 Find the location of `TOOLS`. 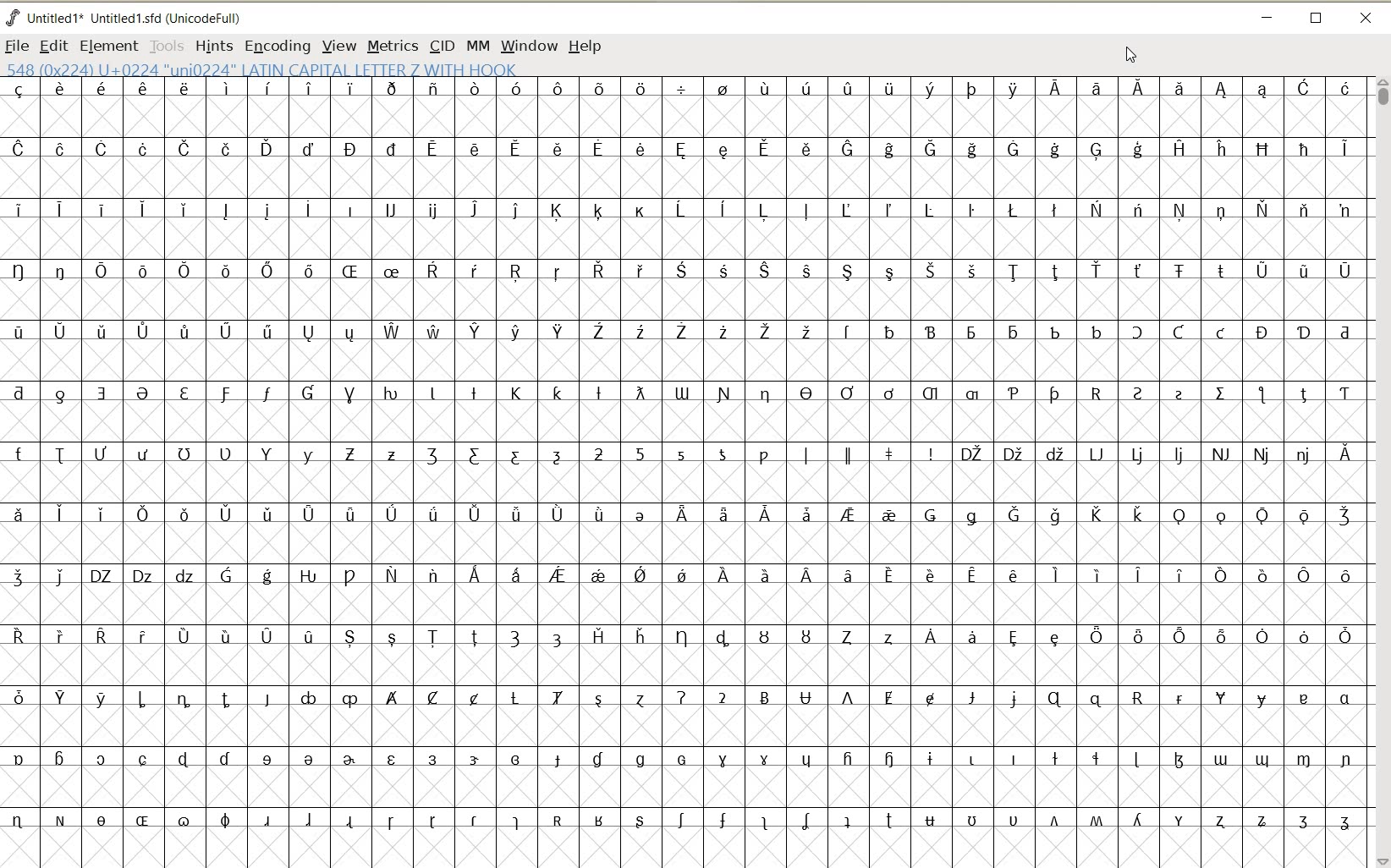

TOOLS is located at coordinates (165, 45).